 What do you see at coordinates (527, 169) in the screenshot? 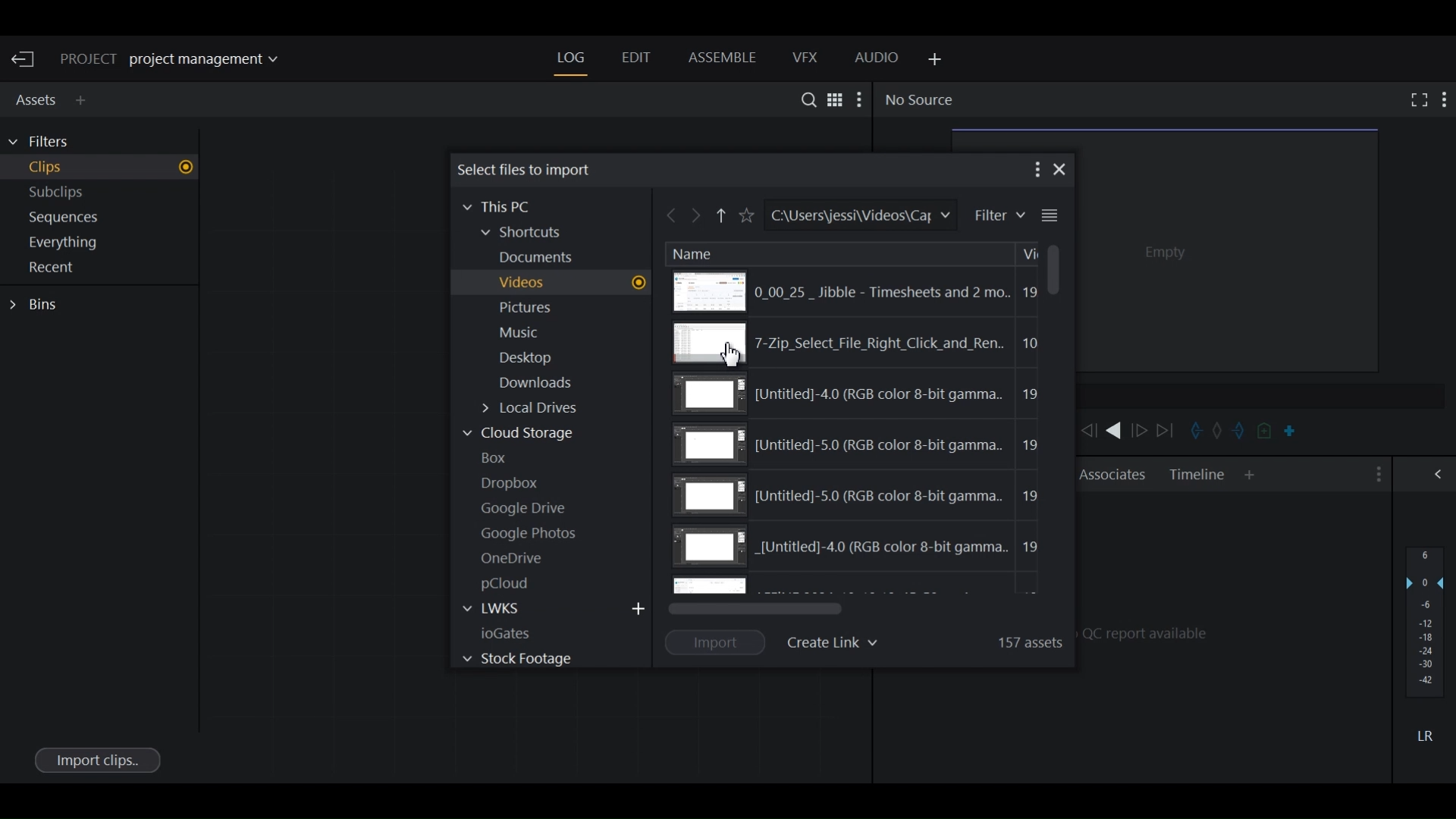
I see `Select files to import` at bounding box center [527, 169].